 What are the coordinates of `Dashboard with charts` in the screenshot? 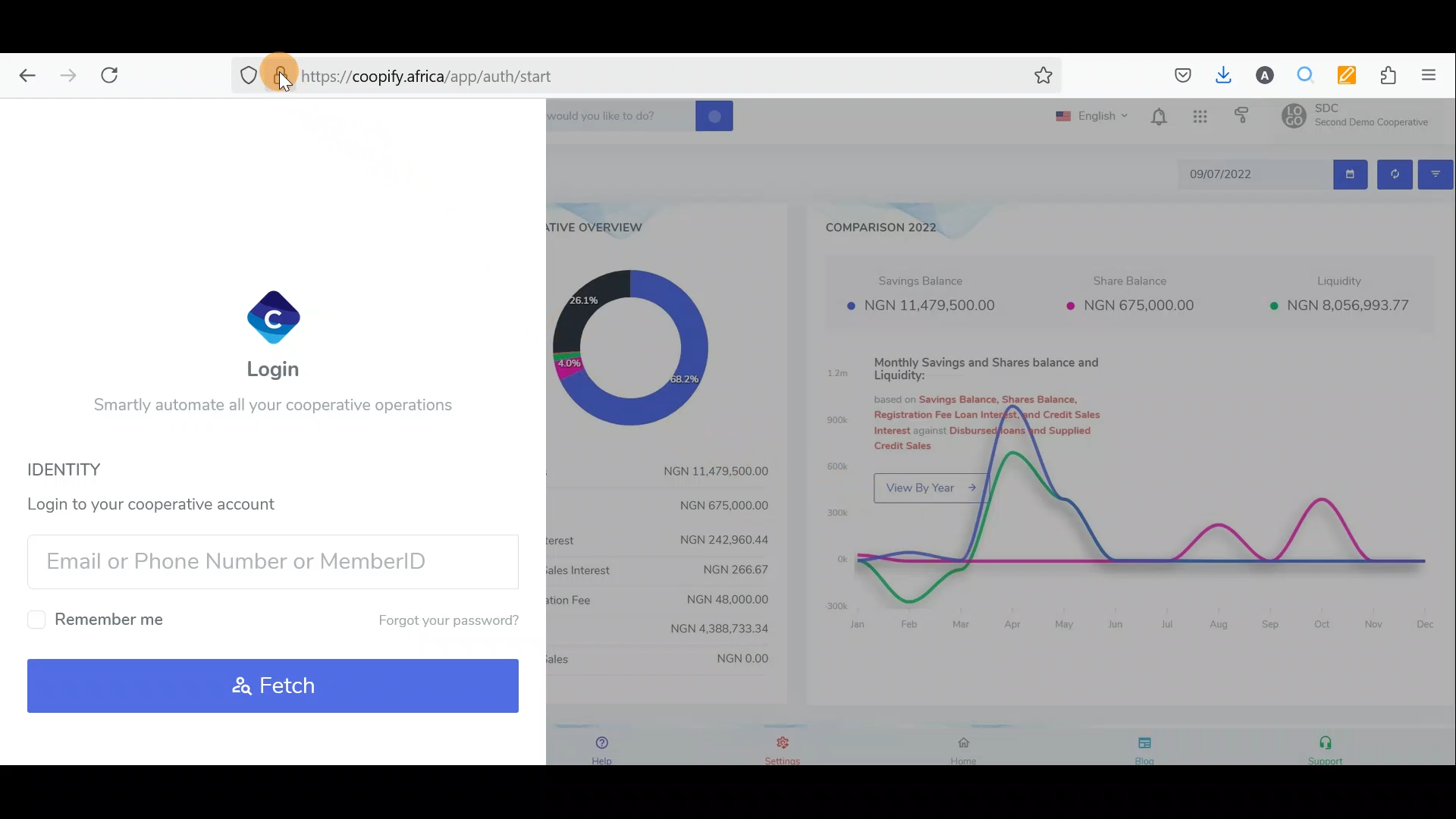 It's located at (998, 434).